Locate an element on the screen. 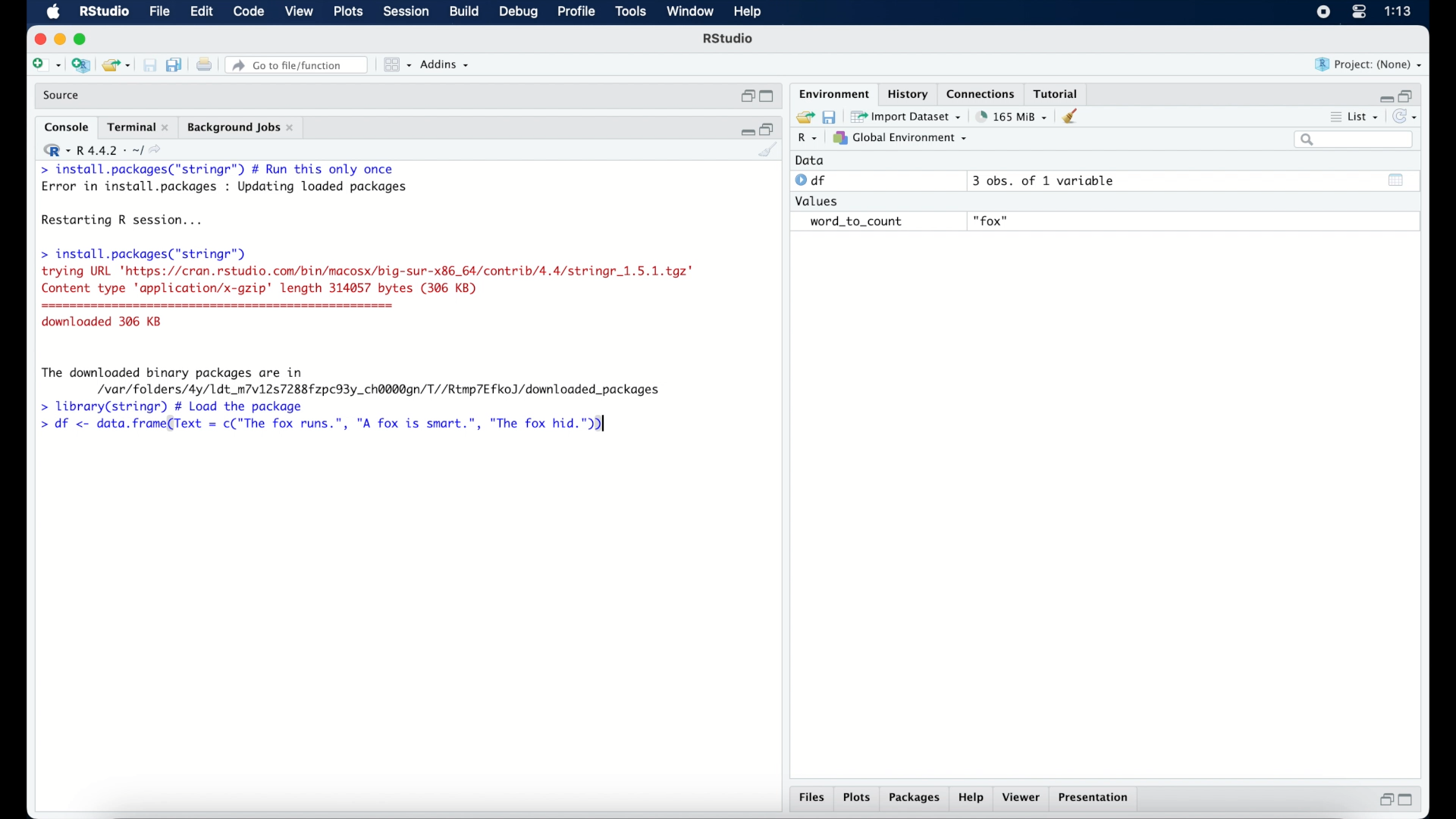 The width and height of the screenshot is (1456, 819). viewer is located at coordinates (1022, 798).